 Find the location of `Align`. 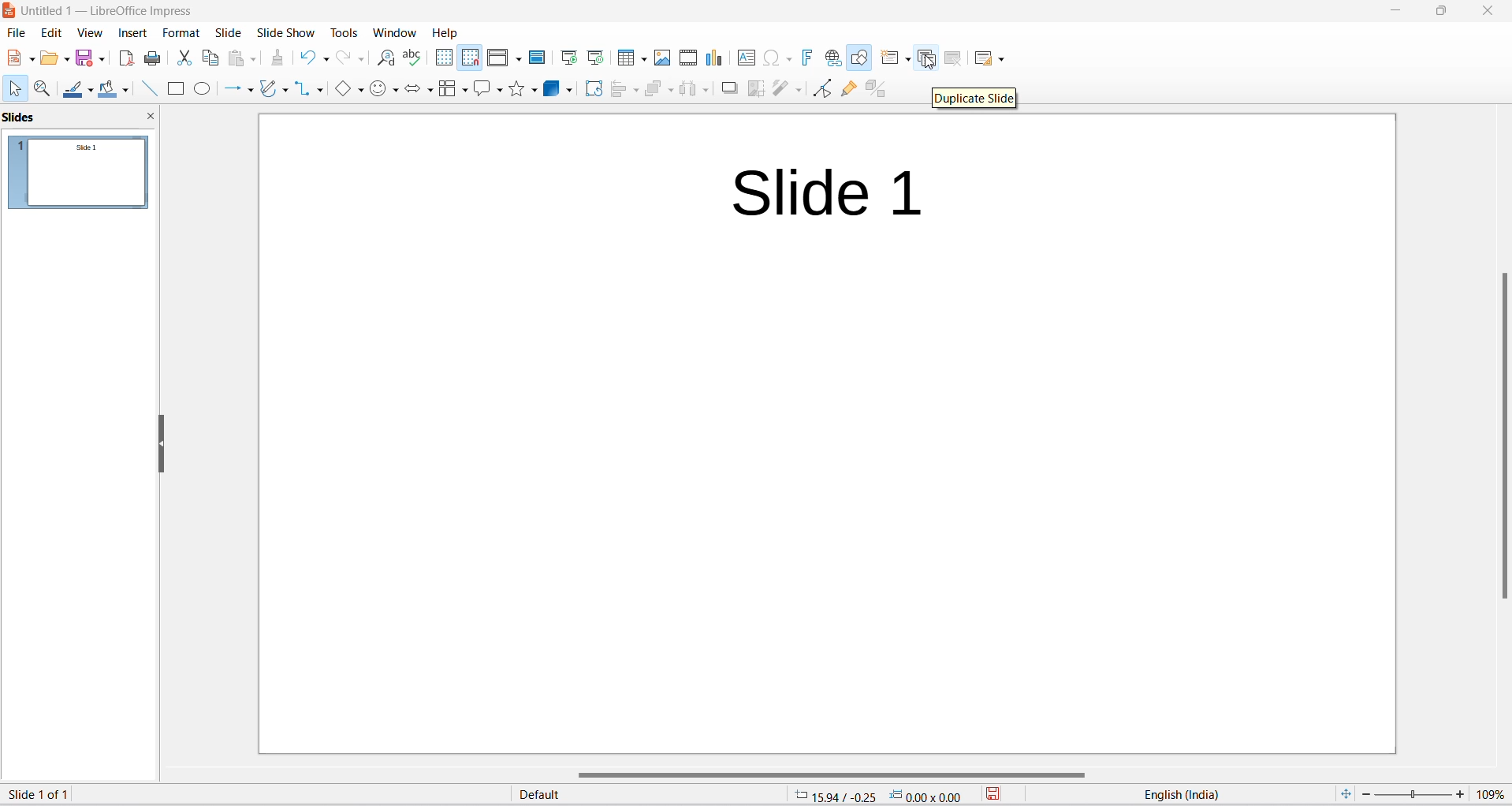

Align is located at coordinates (625, 91).